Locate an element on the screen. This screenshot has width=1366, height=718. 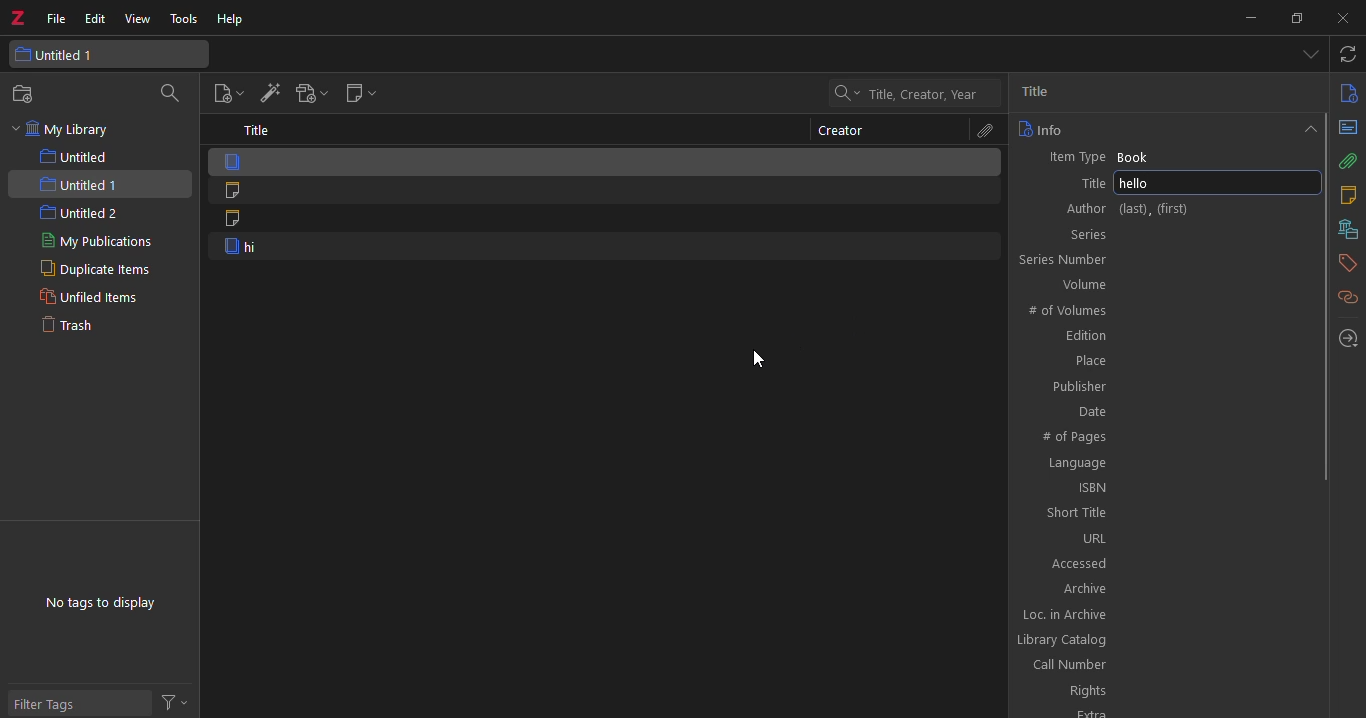
Extra is located at coordinates (1156, 711).